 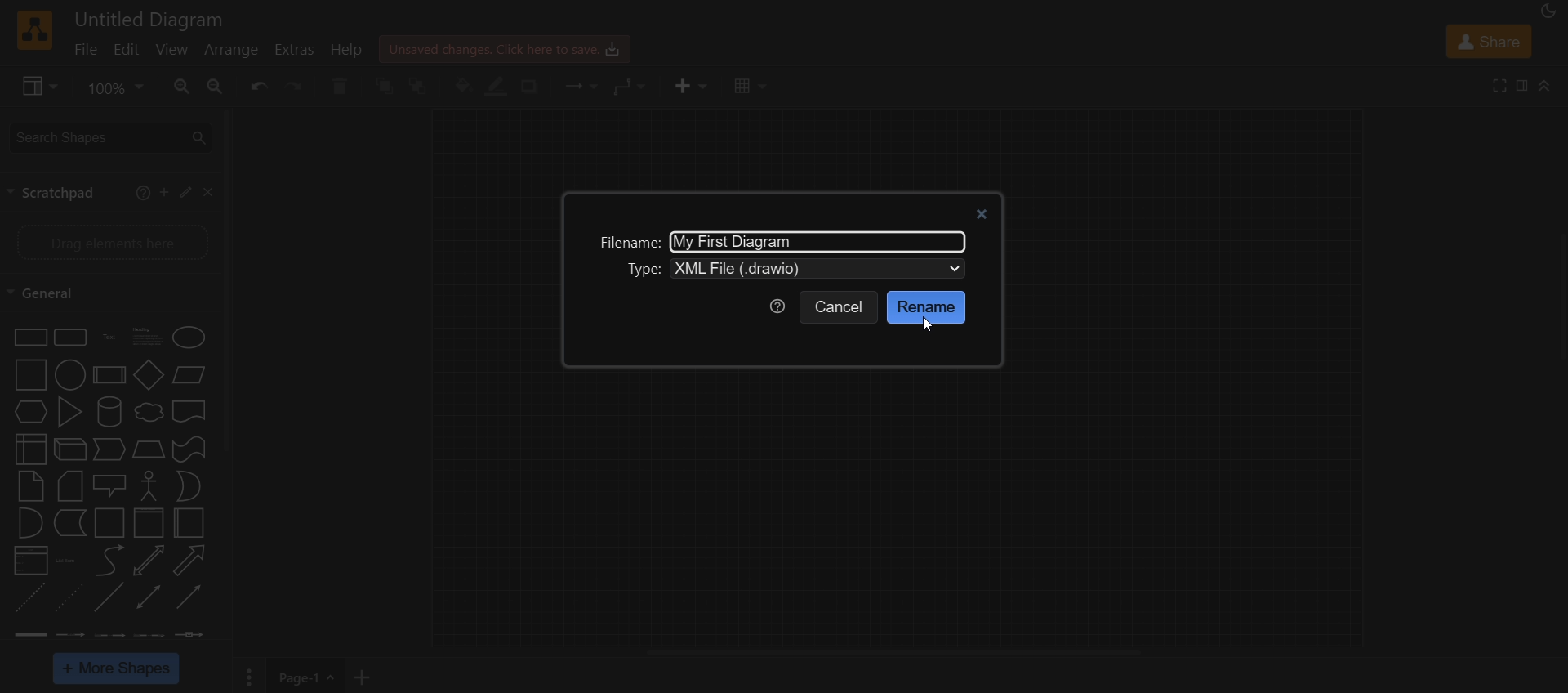 What do you see at coordinates (926, 306) in the screenshot?
I see `rename` at bounding box center [926, 306].